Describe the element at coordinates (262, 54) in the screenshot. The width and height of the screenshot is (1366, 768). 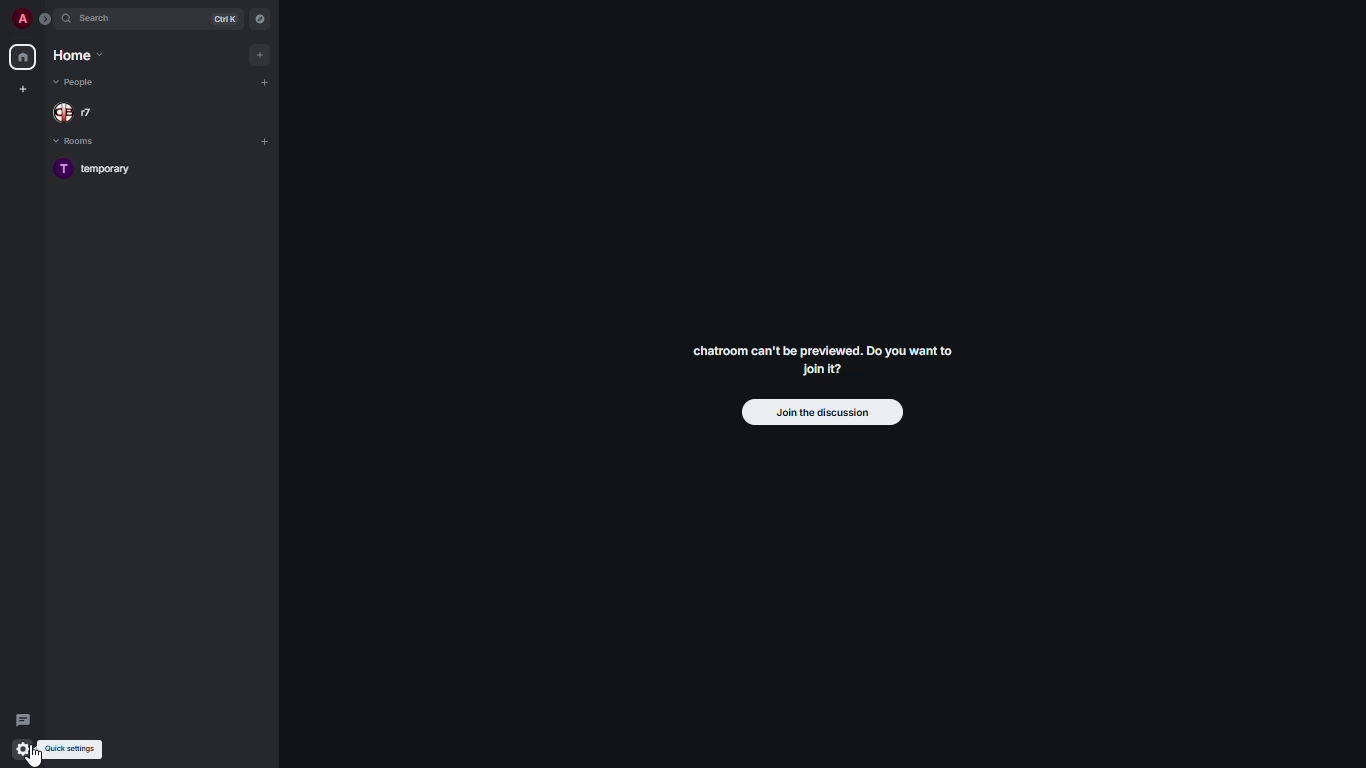
I see `add` at that location.